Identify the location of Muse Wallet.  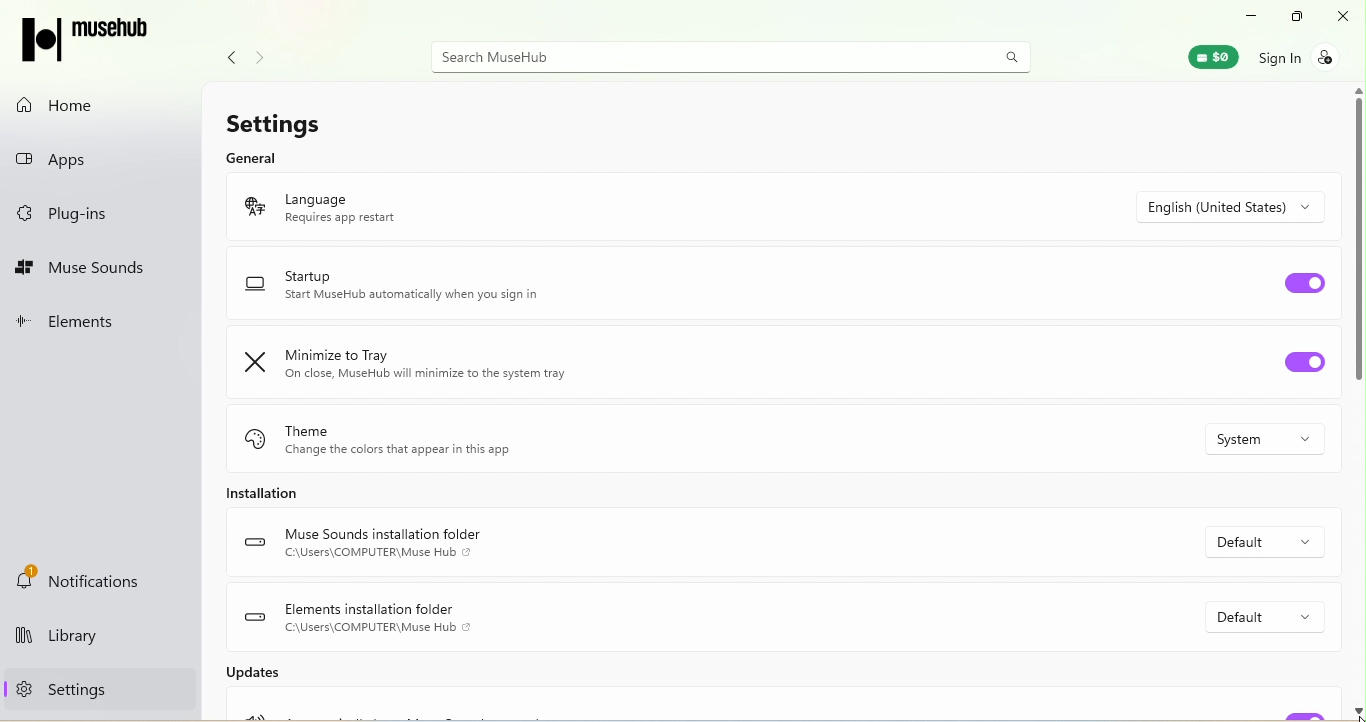
(1203, 56).